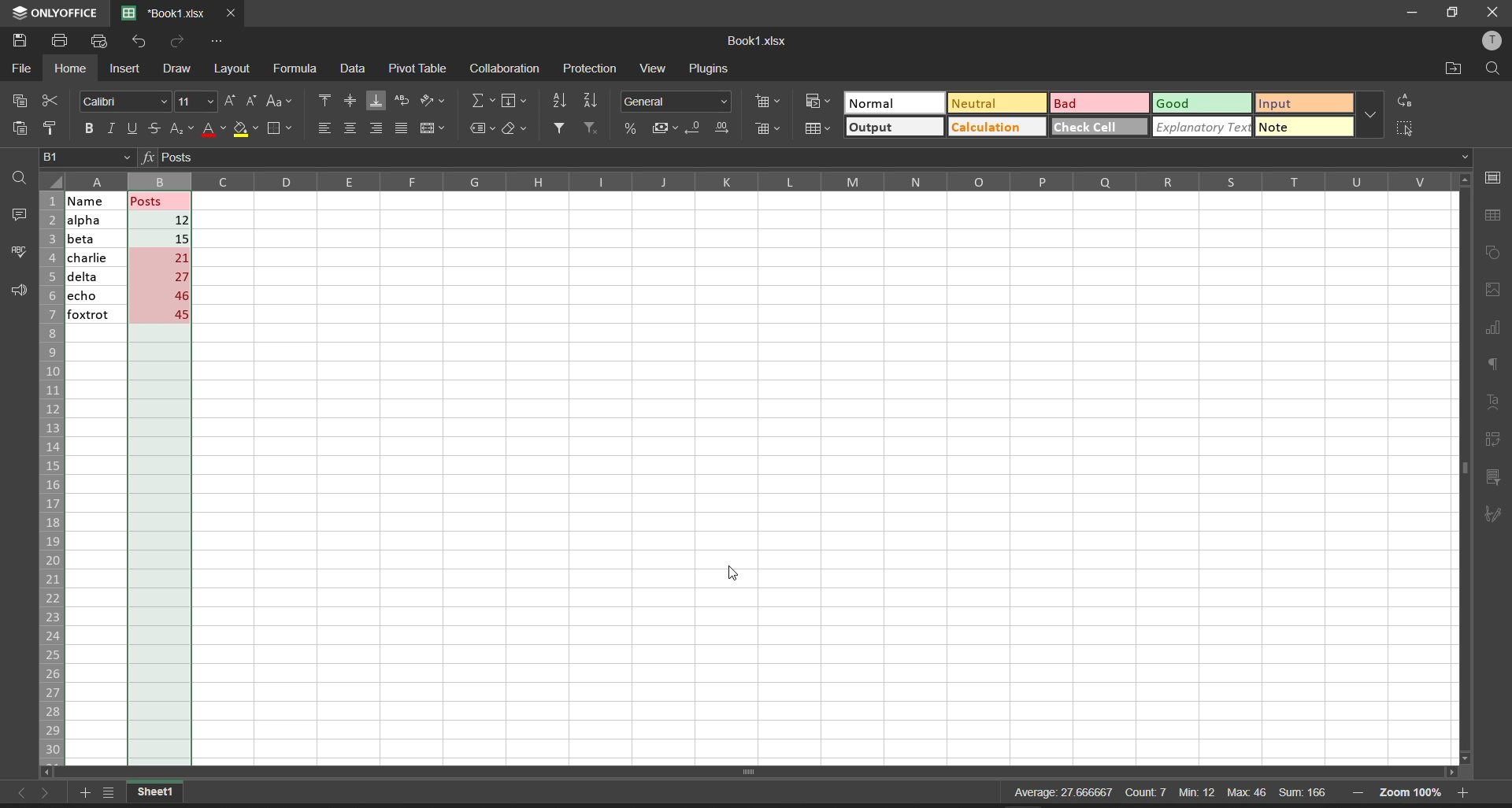 The height and width of the screenshot is (808, 1512). Describe the element at coordinates (232, 12) in the screenshot. I see `close tab` at that location.